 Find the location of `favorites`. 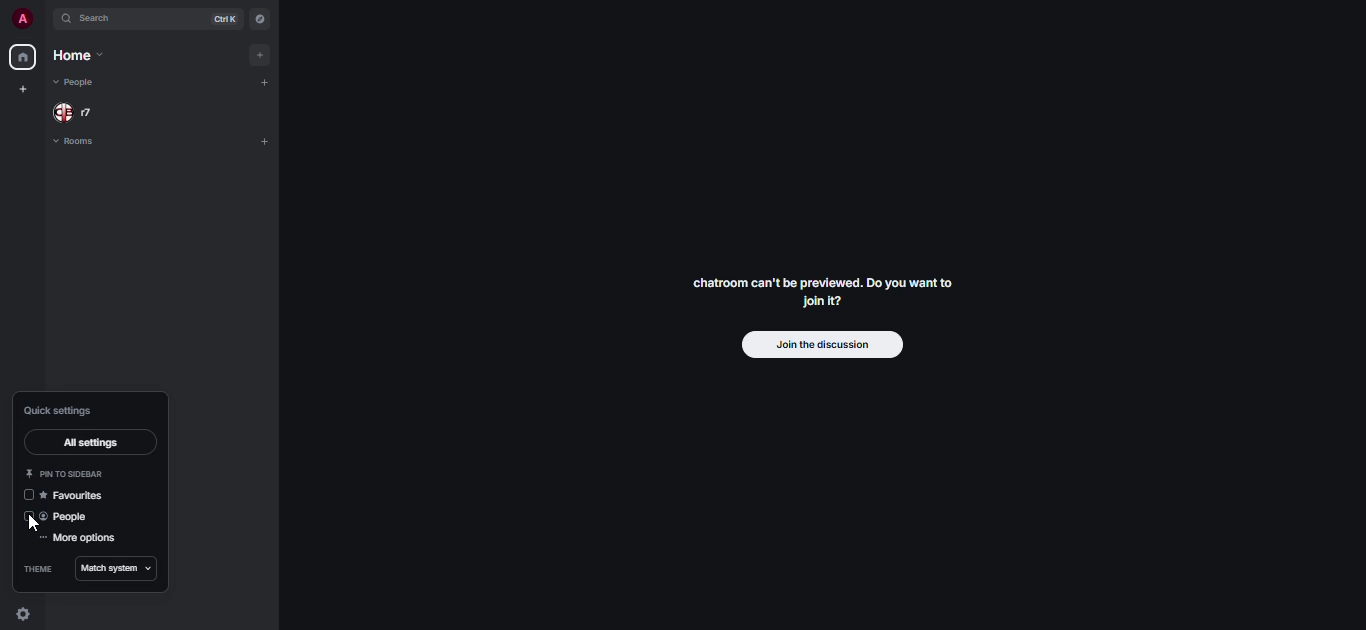

favorites is located at coordinates (79, 496).